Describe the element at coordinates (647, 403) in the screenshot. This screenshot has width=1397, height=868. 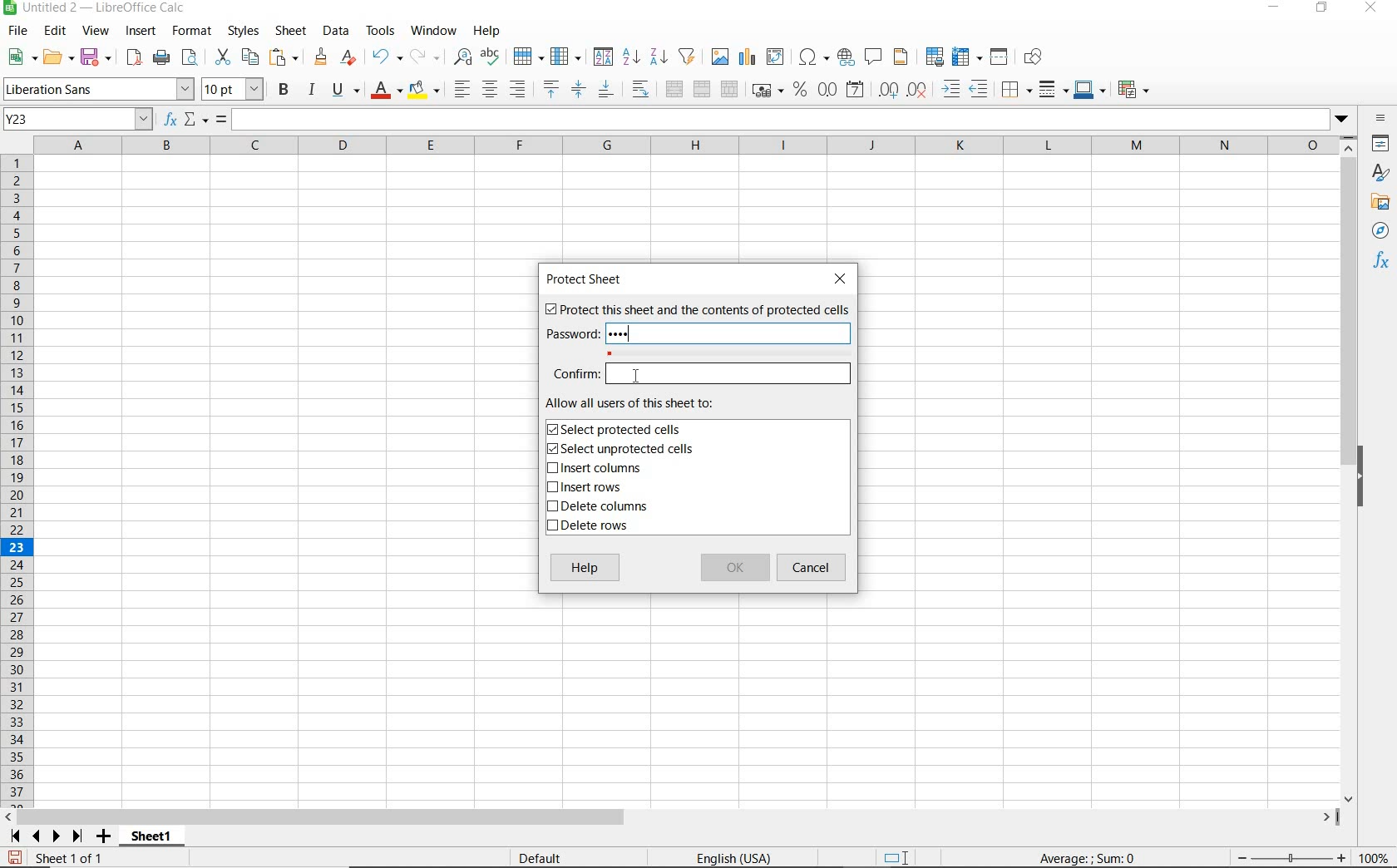
I see `ALLOW ALL USERS OF THIS SHEET TO:` at that location.